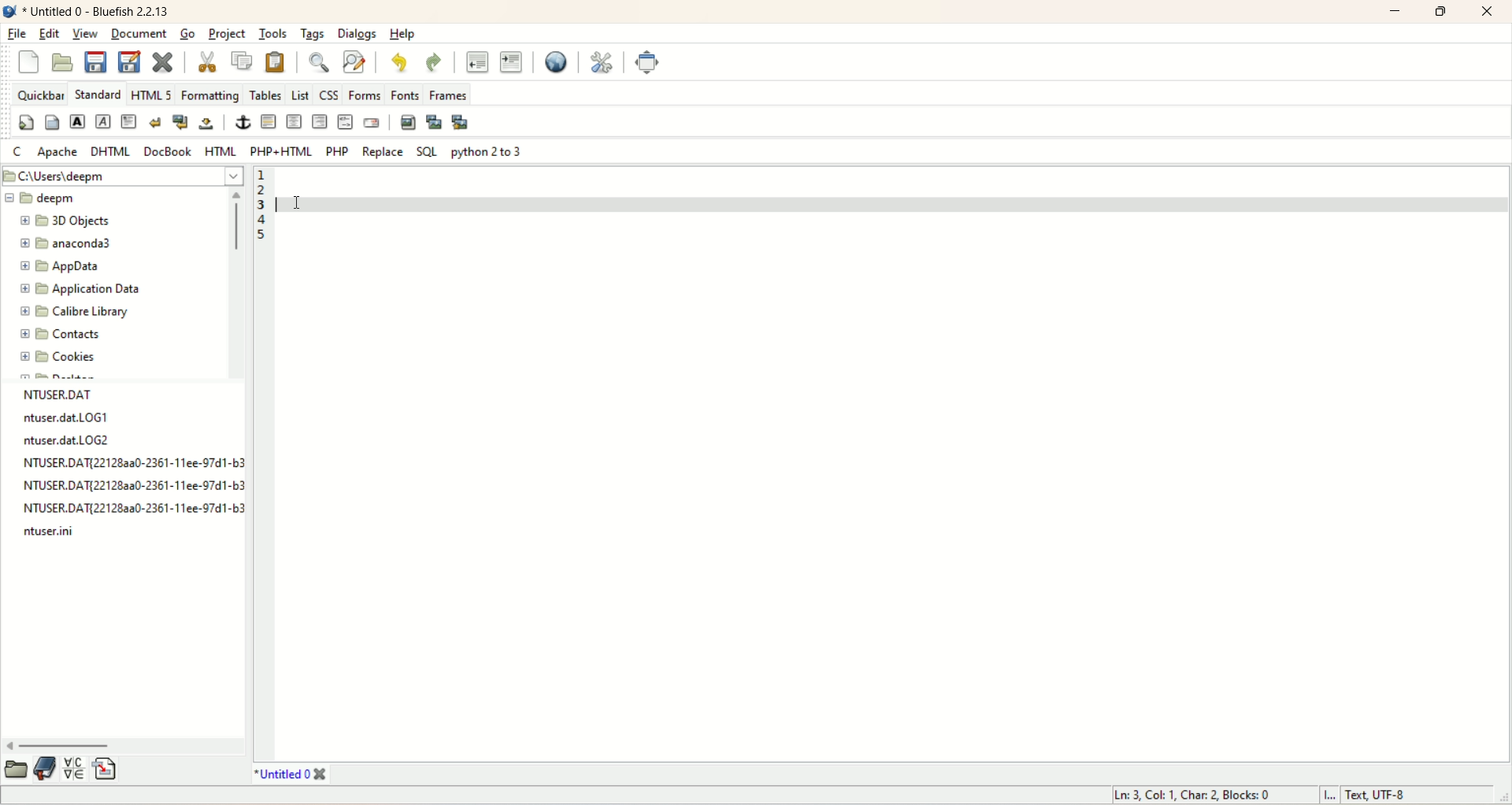  I want to click on title, so click(98, 13).